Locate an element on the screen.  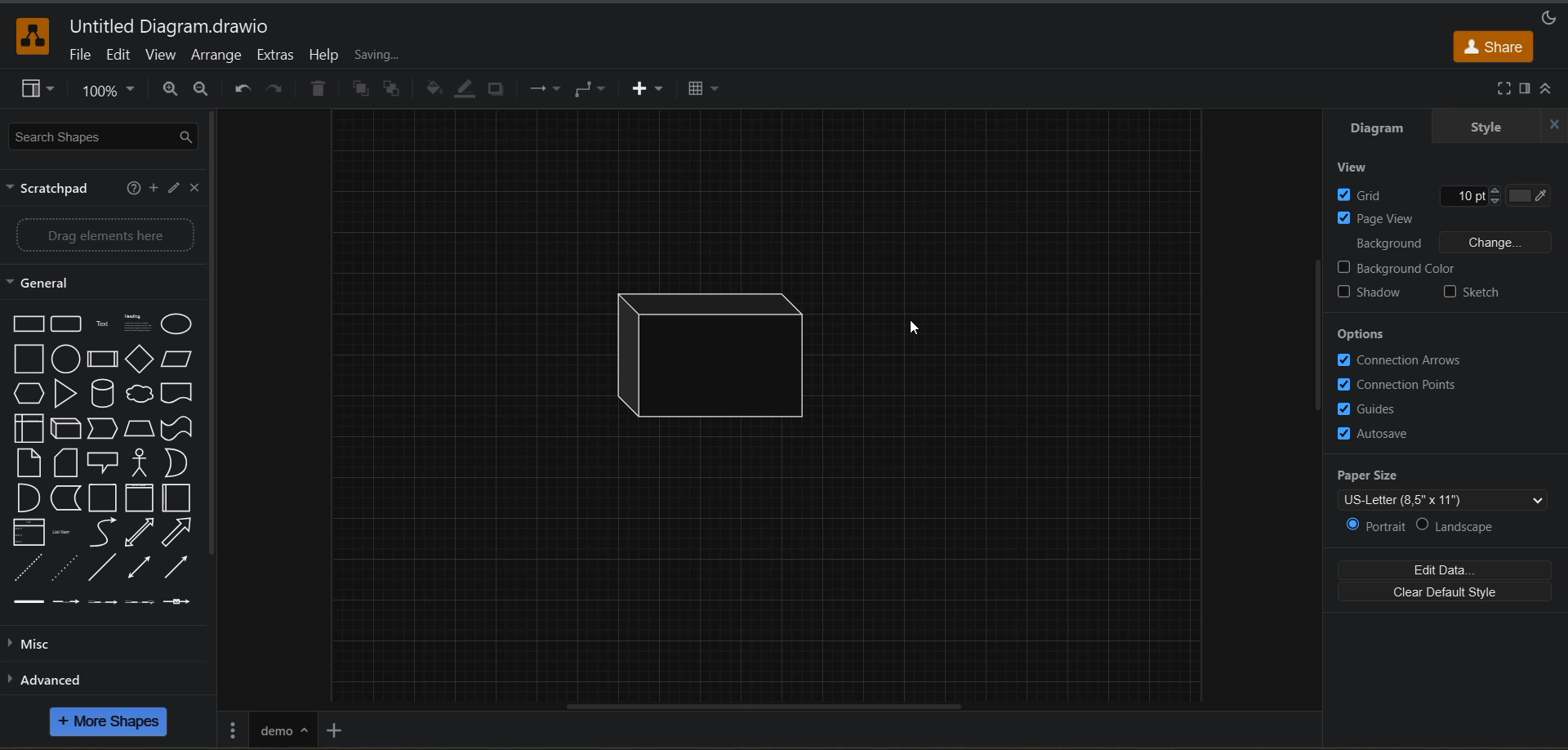
shadow is located at coordinates (1375, 291).